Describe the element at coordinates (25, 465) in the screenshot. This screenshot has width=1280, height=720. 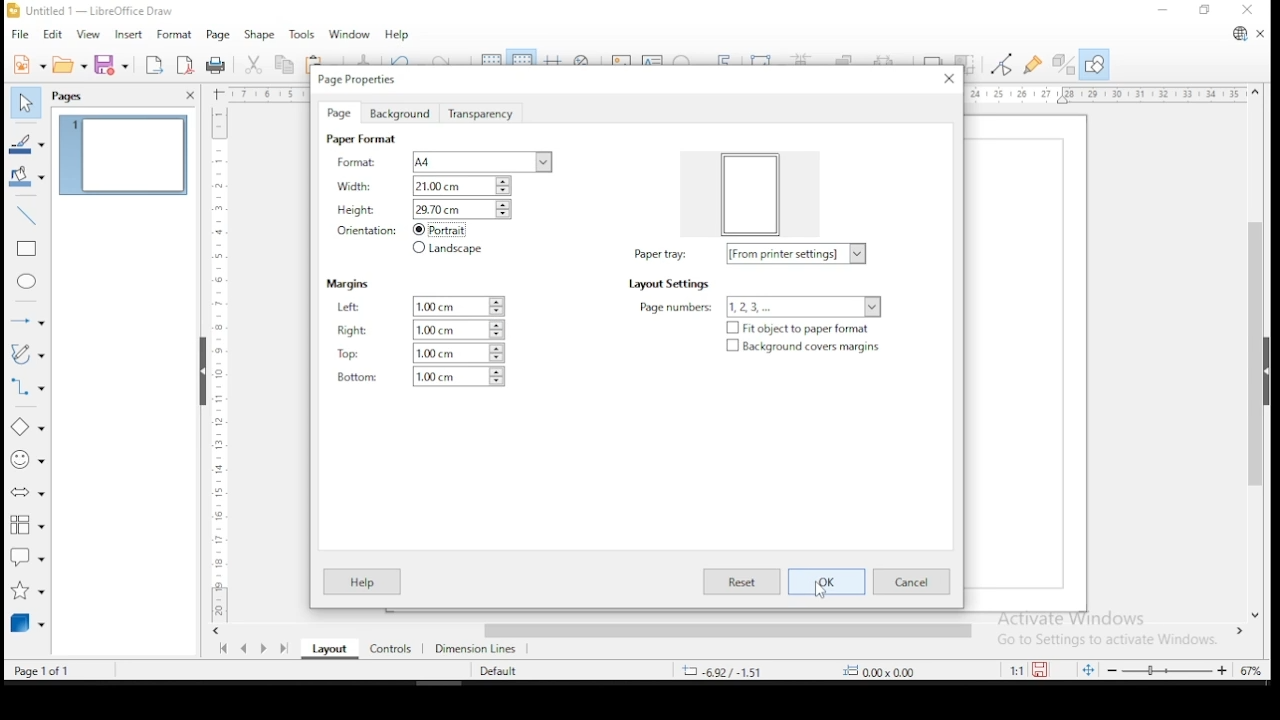
I see `symbol shapes` at that location.